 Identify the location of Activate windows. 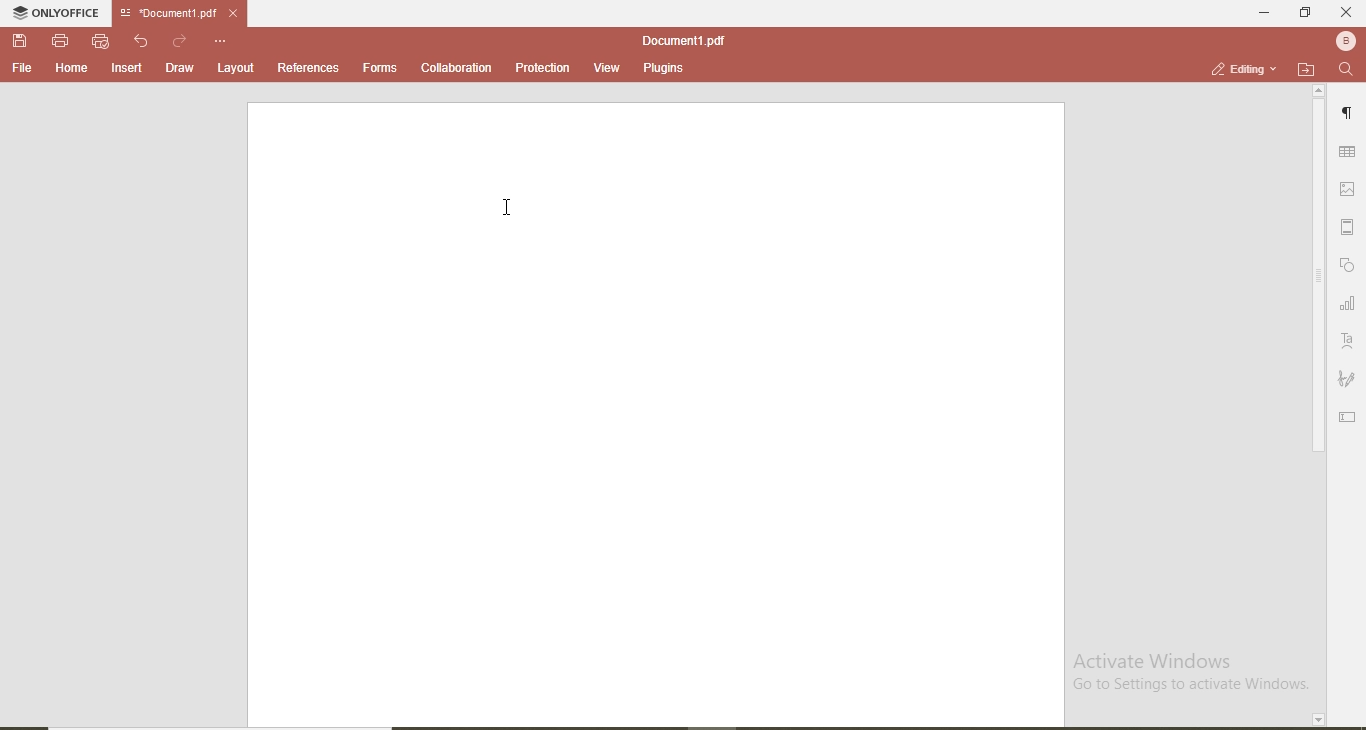
(1195, 671).